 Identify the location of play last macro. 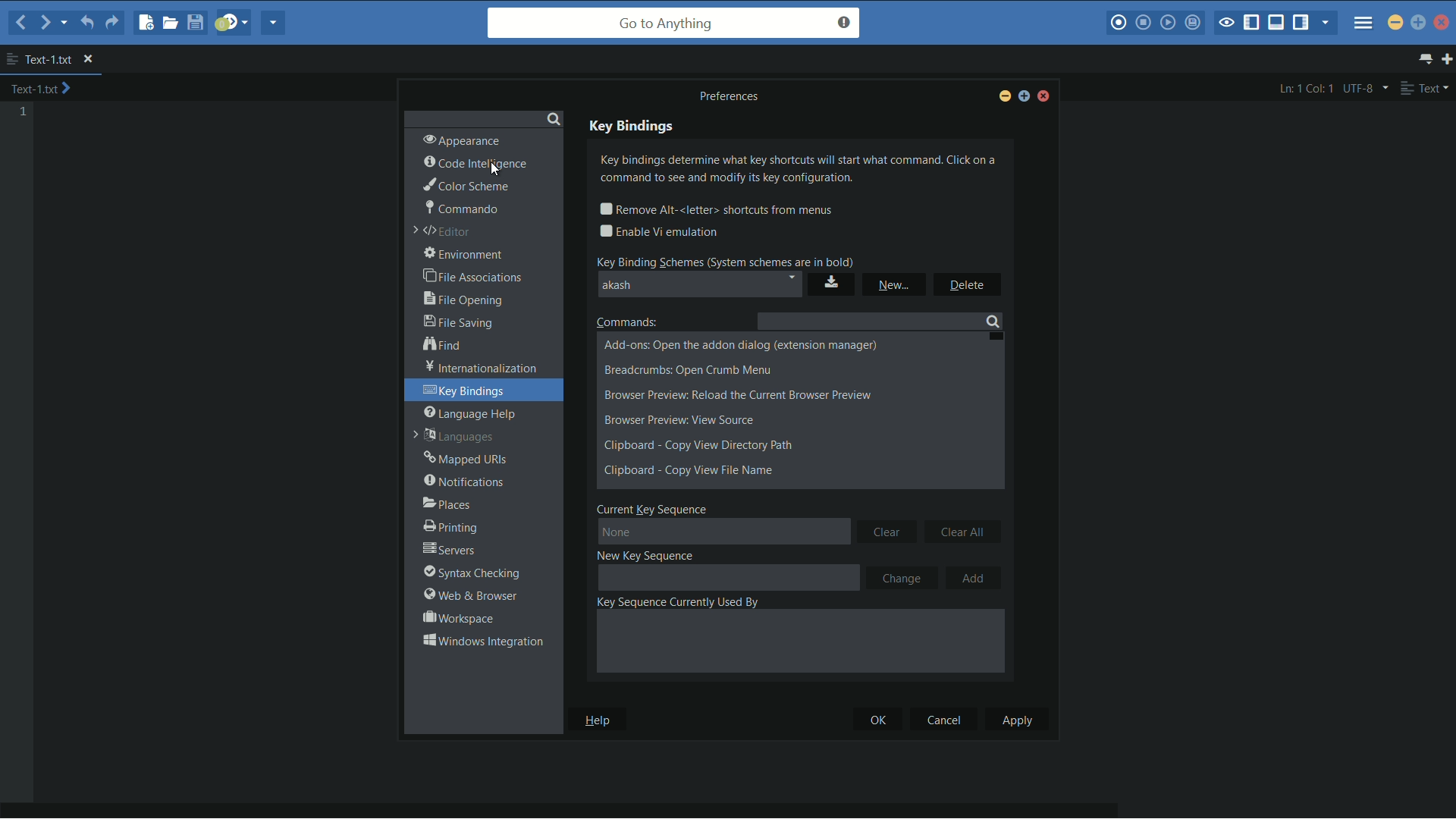
(1167, 23).